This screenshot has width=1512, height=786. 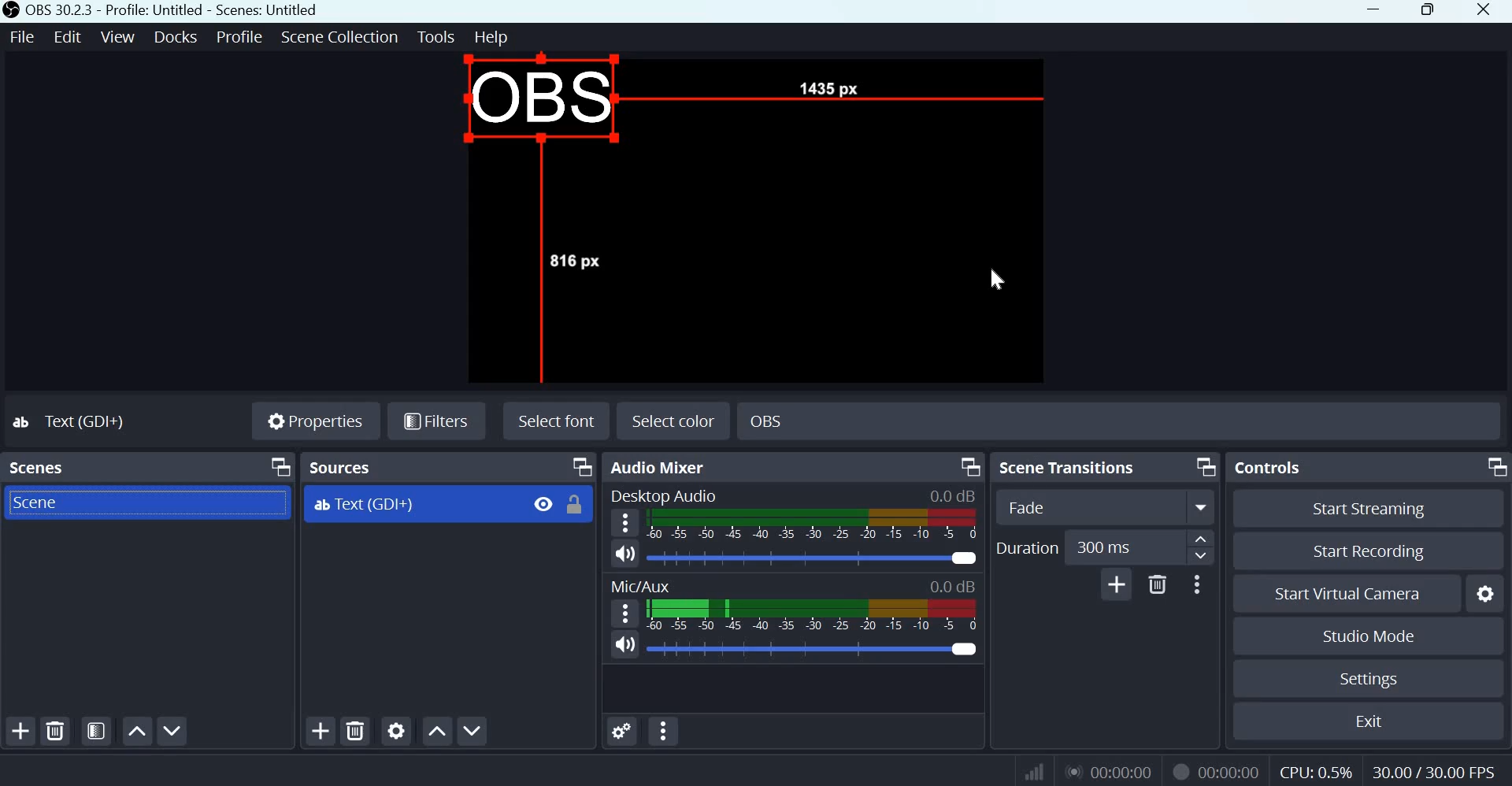 I want to click on Select color, so click(x=676, y=419).